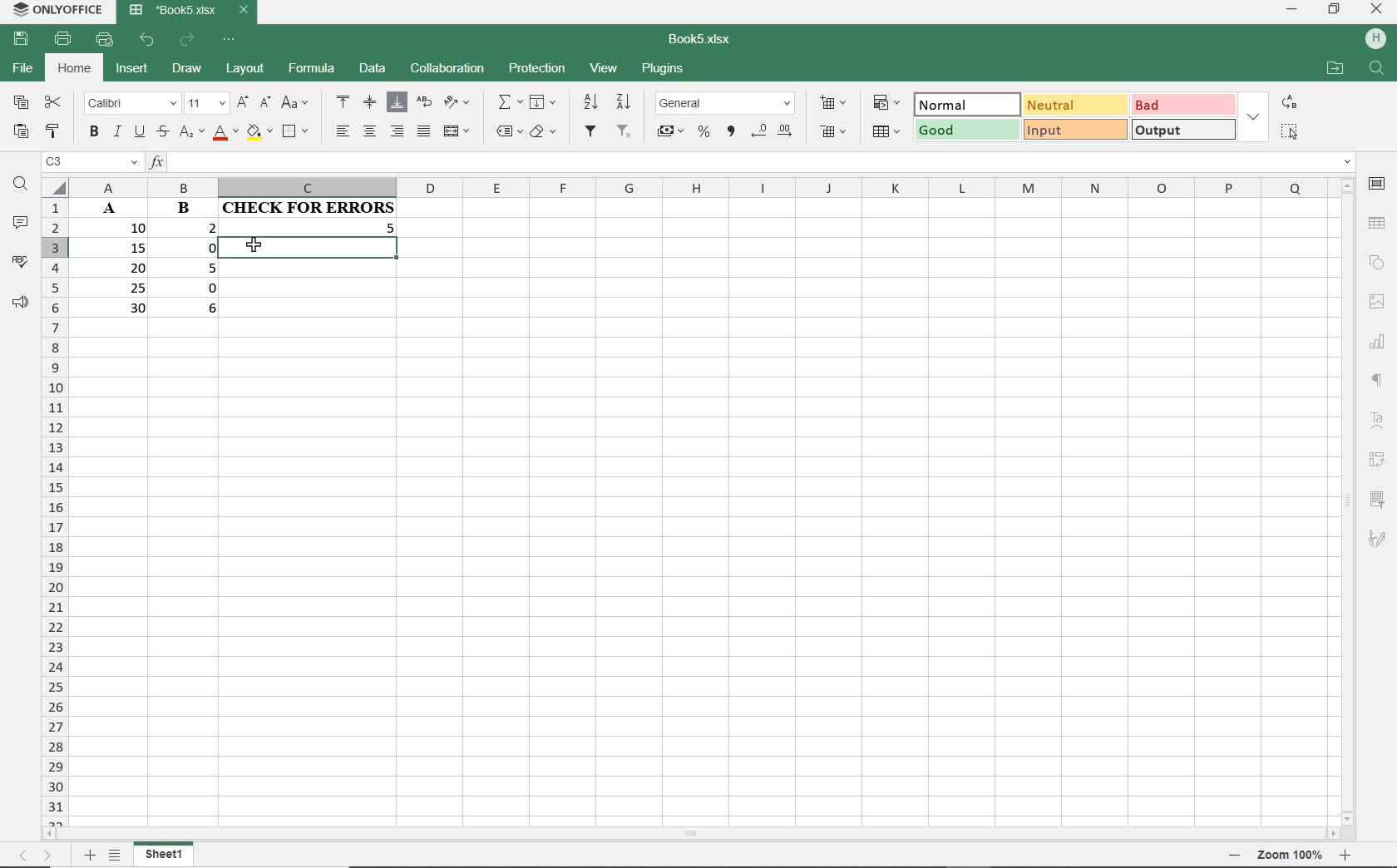 This screenshot has height=868, width=1397. I want to click on SAVE, so click(18, 41).